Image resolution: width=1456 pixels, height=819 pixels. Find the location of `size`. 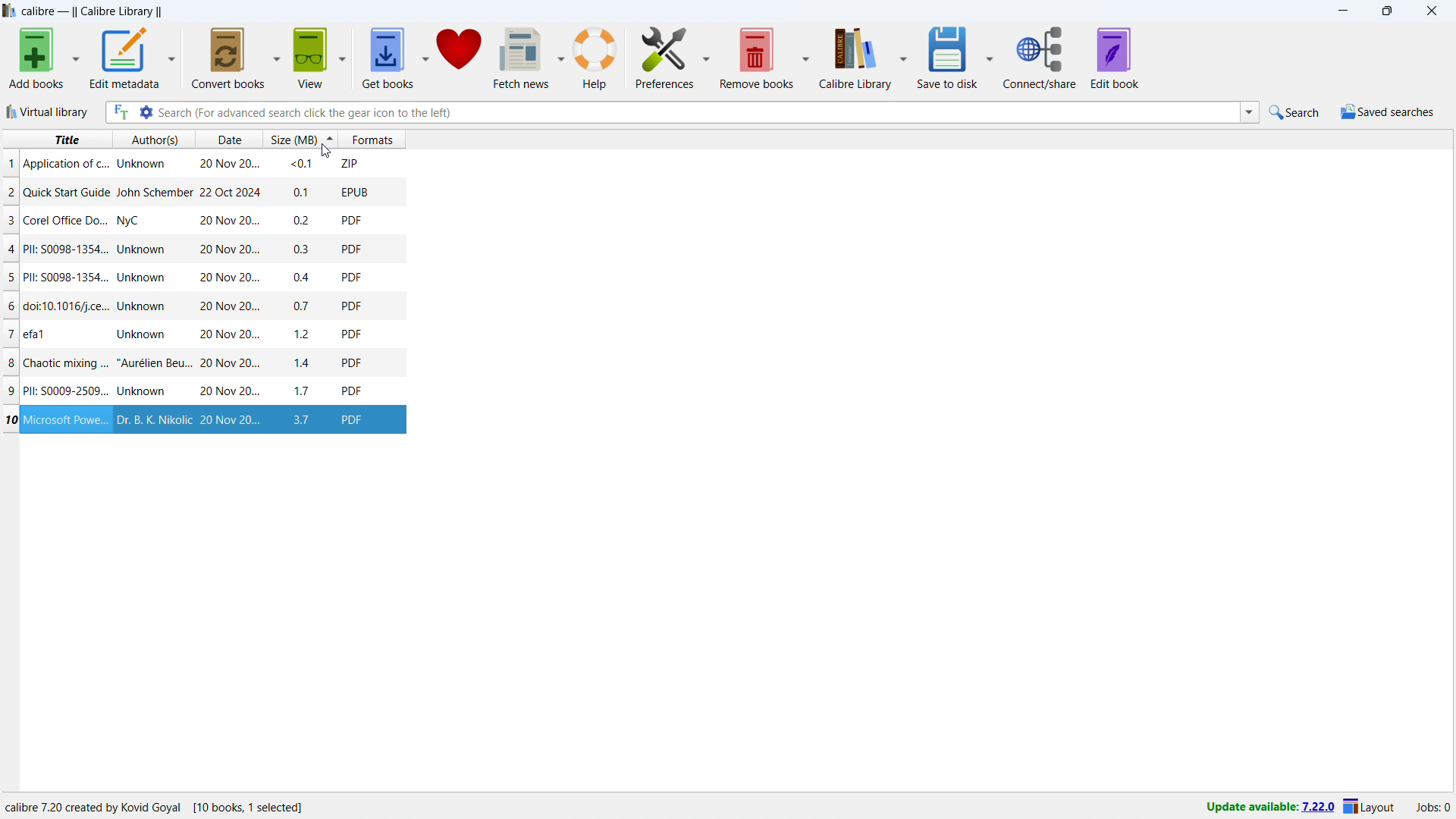

size is located at coordinates (303, 334).